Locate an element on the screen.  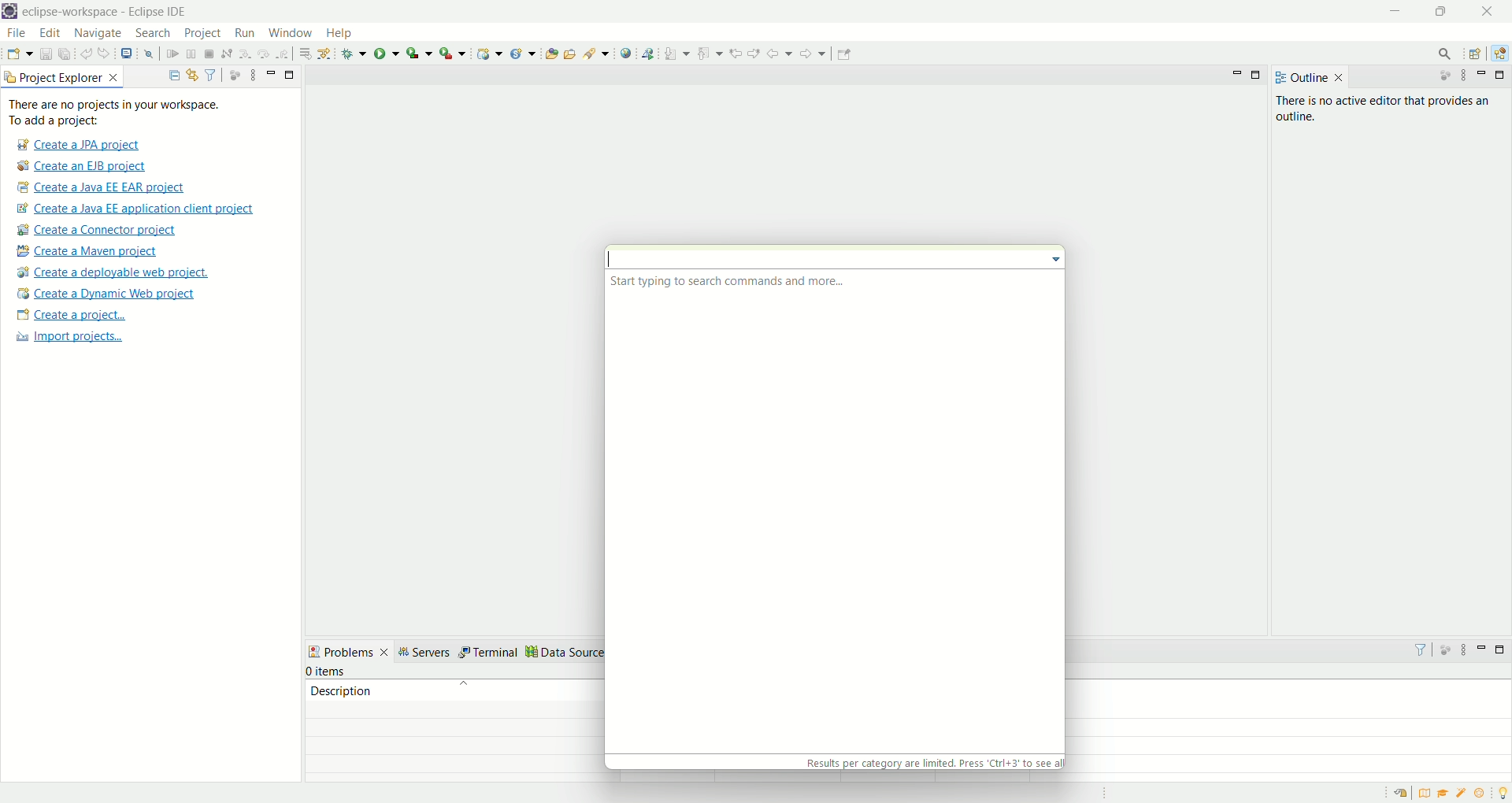
search is located at coordinates (154, 34).